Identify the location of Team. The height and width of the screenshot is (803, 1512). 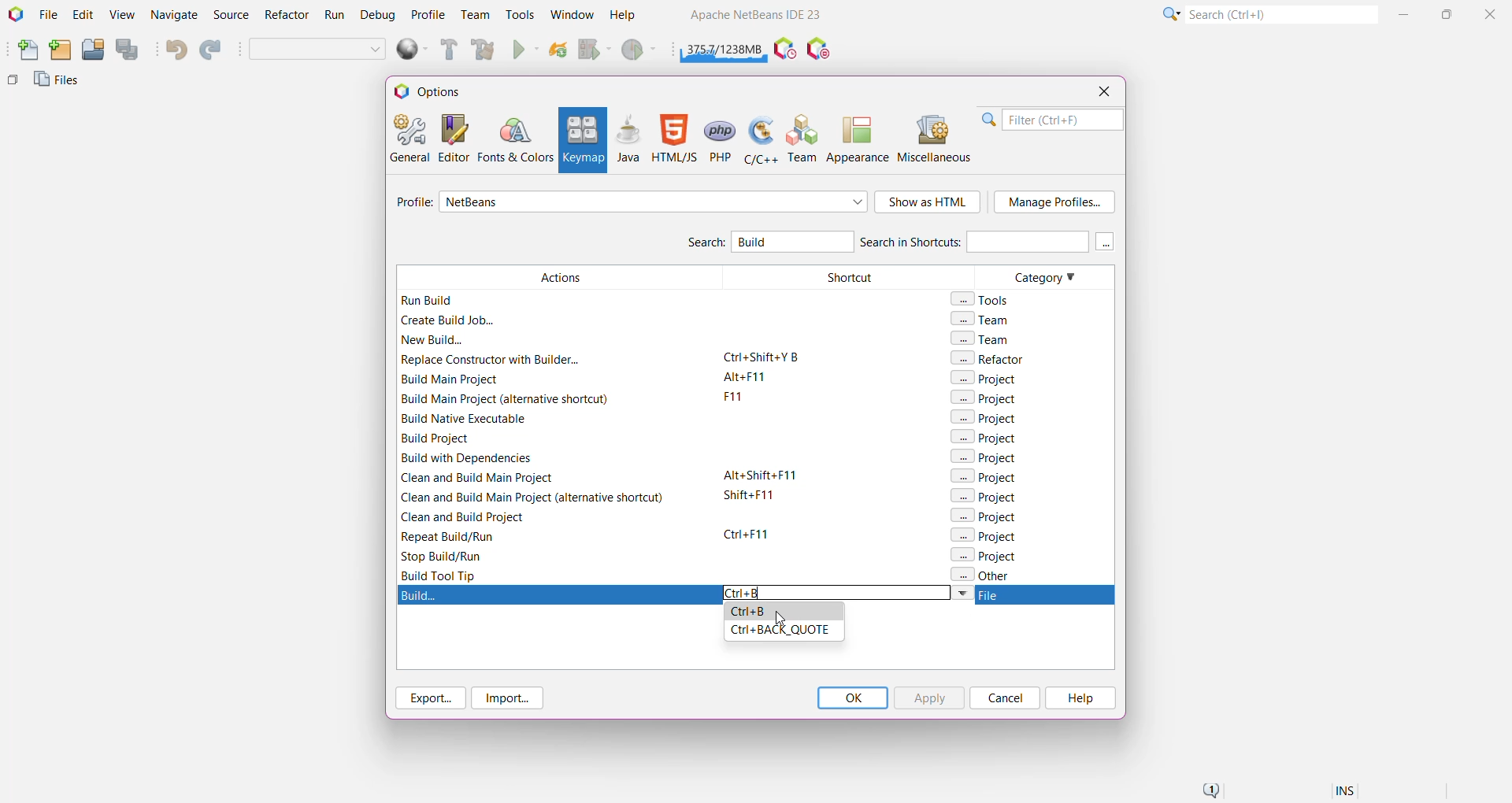
(474, 15).